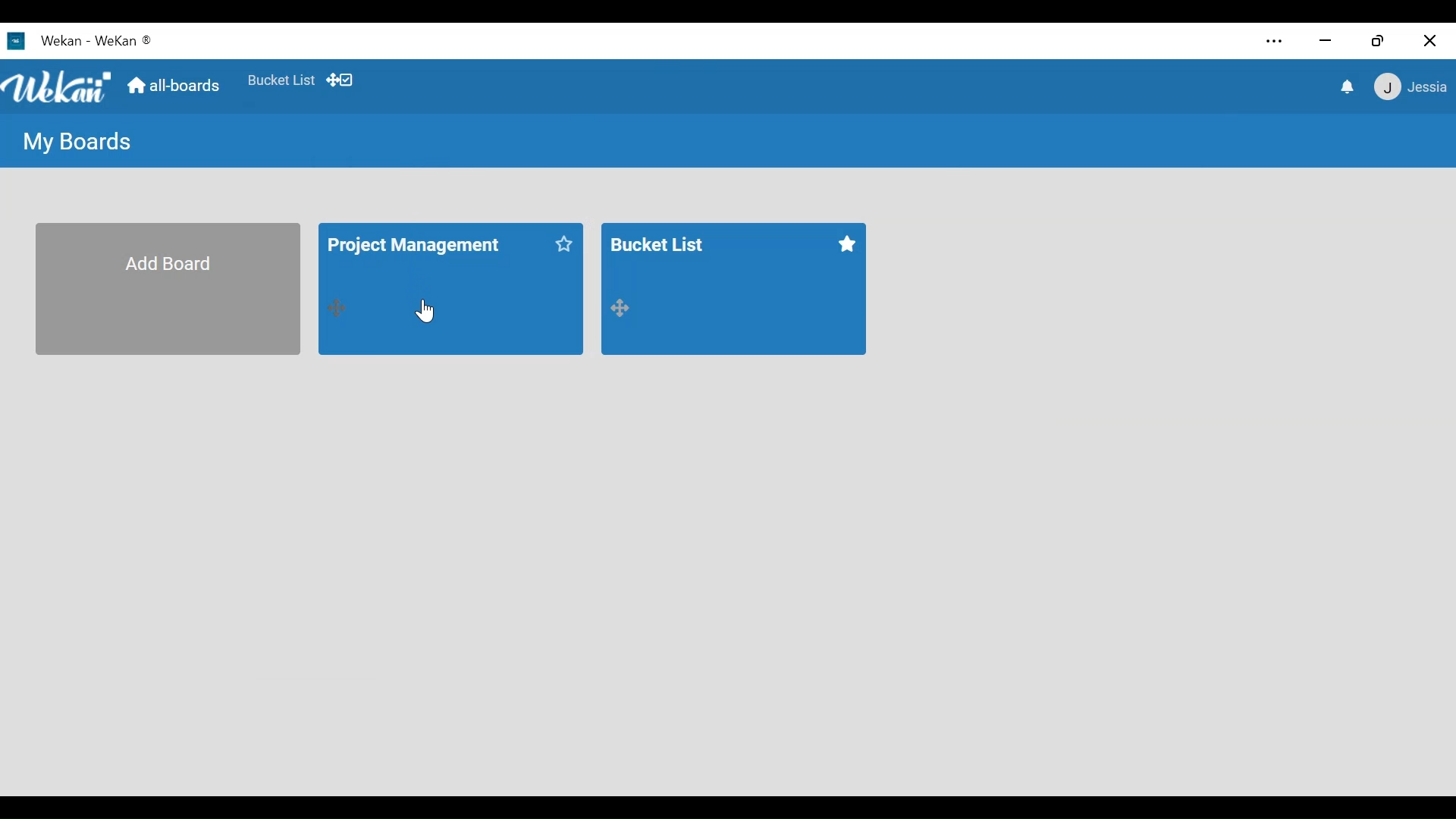 This screenshot has width=1456, height=819. I want to click on board title, so click(670, 247).